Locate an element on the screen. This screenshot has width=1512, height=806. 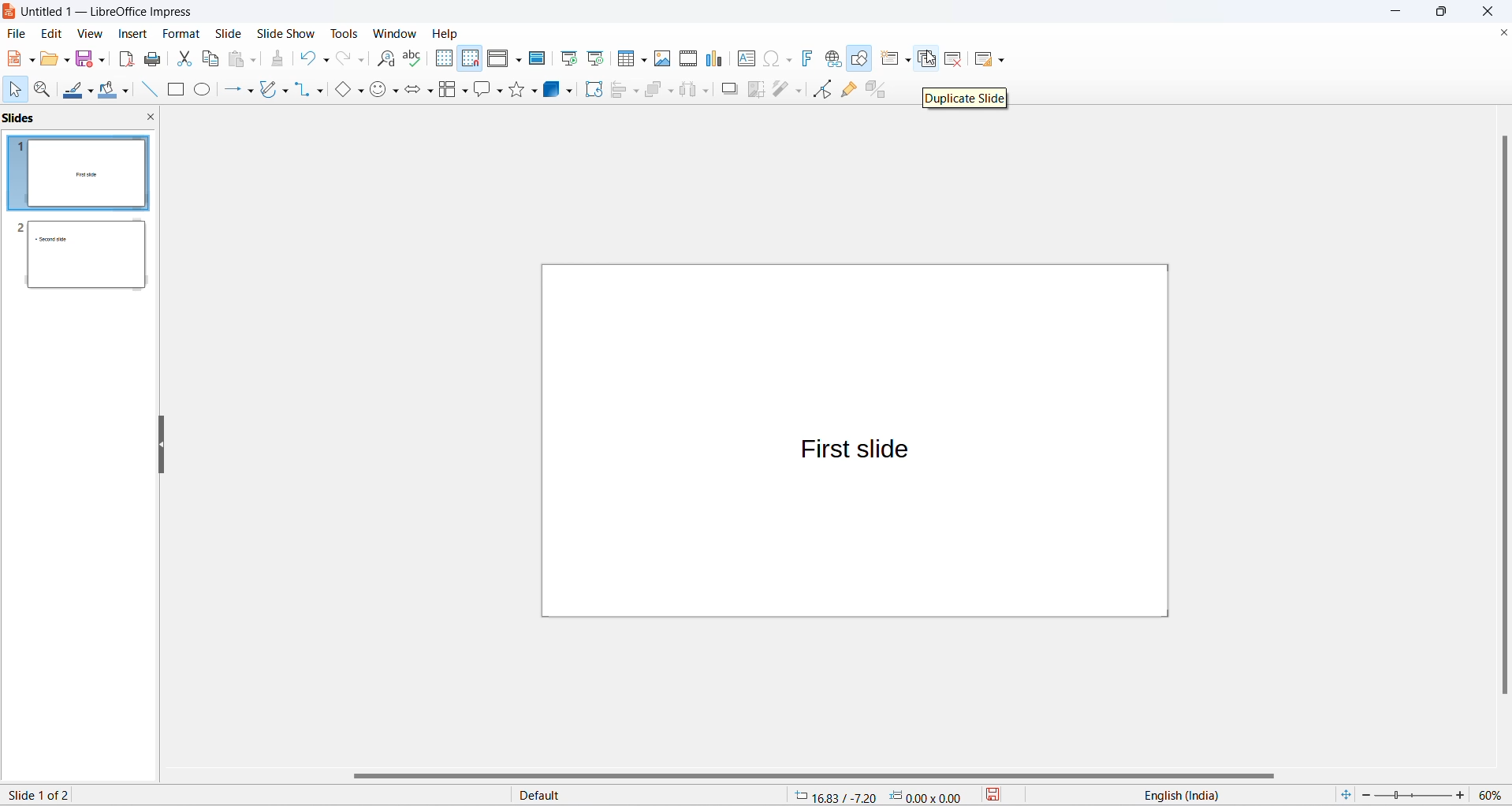
 is located at coordinates (15, 91).